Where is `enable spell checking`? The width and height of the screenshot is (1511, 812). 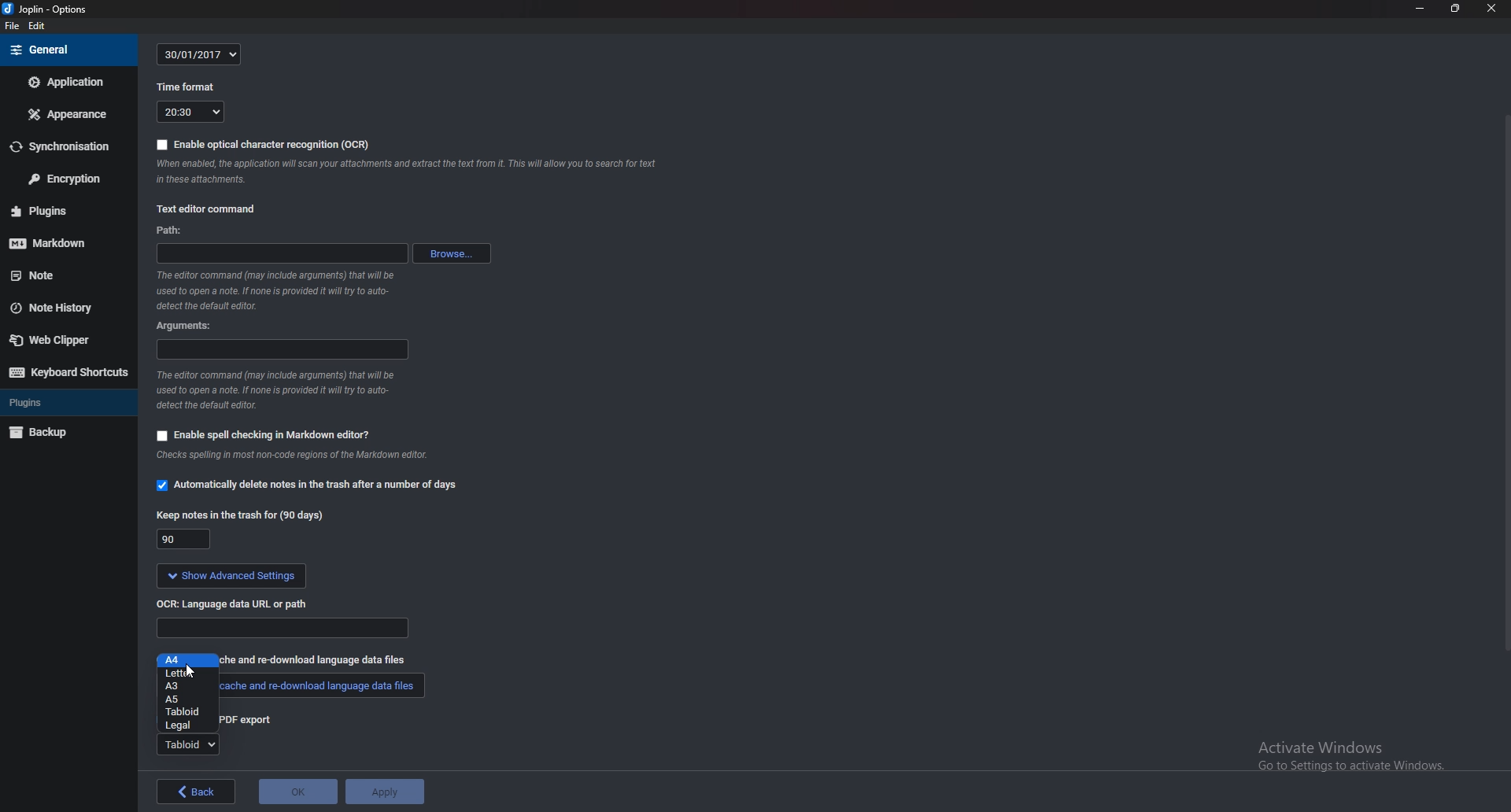
enable spell checking is located at coordinates (282, 433).